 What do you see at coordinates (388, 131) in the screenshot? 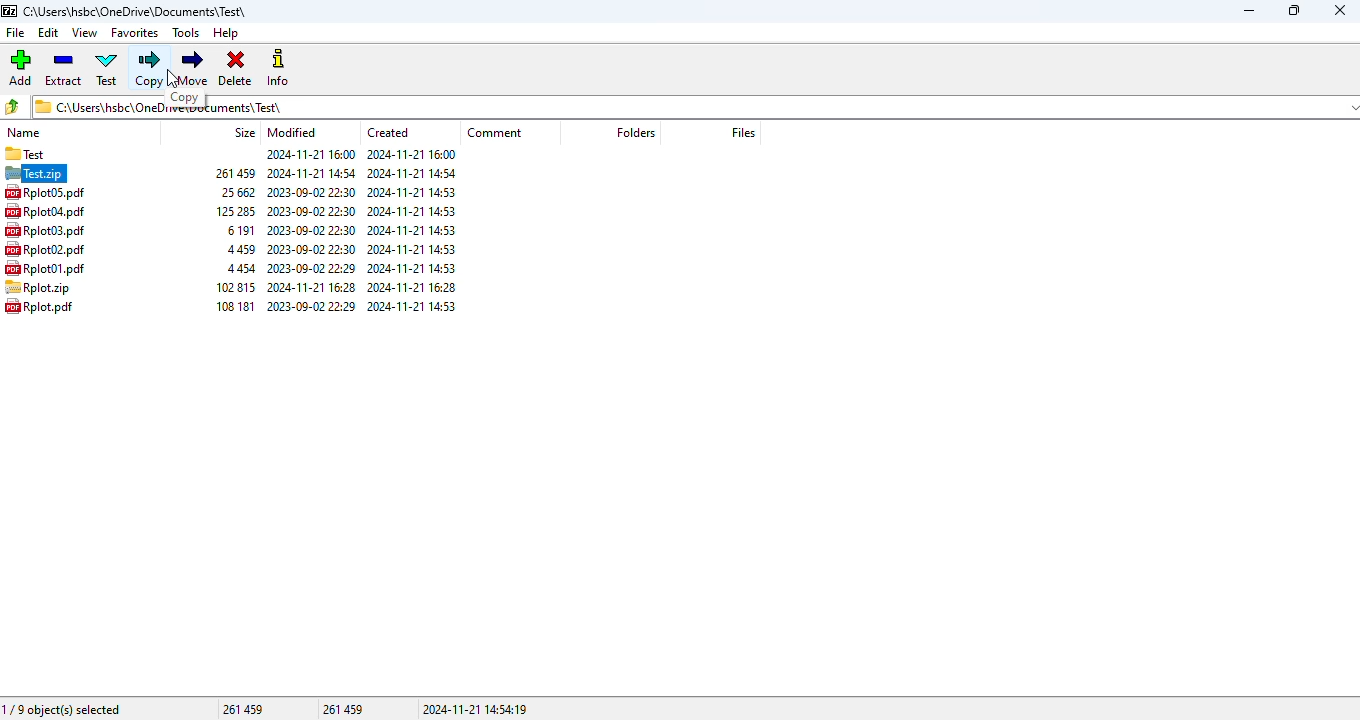
I see `created` at bounding box center [388, 131].